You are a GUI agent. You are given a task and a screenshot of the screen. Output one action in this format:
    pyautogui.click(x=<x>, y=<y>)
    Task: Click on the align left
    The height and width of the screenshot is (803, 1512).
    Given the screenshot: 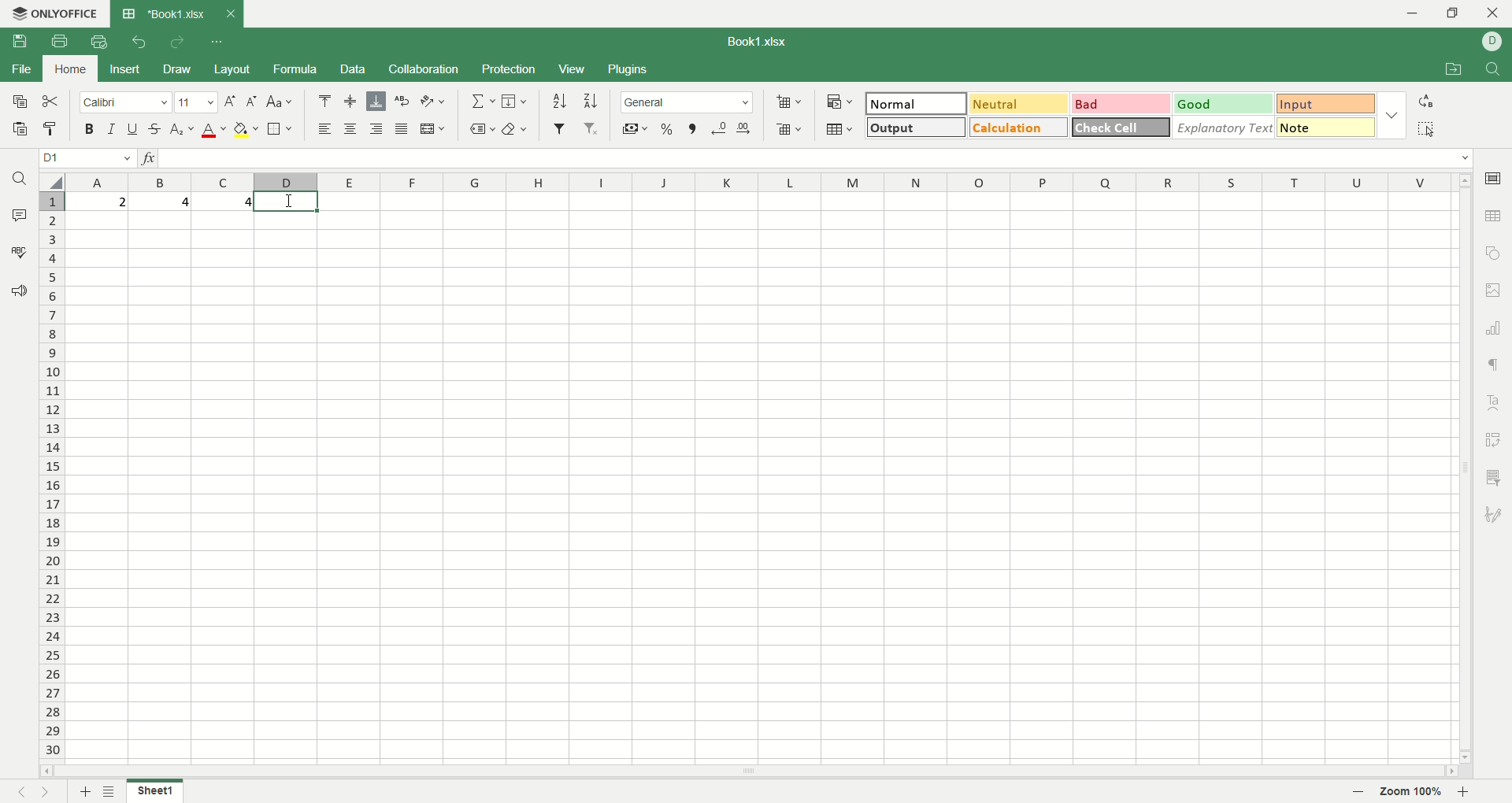 What is the action you would take?
    pyautogui.click(x=323, y=128)
    